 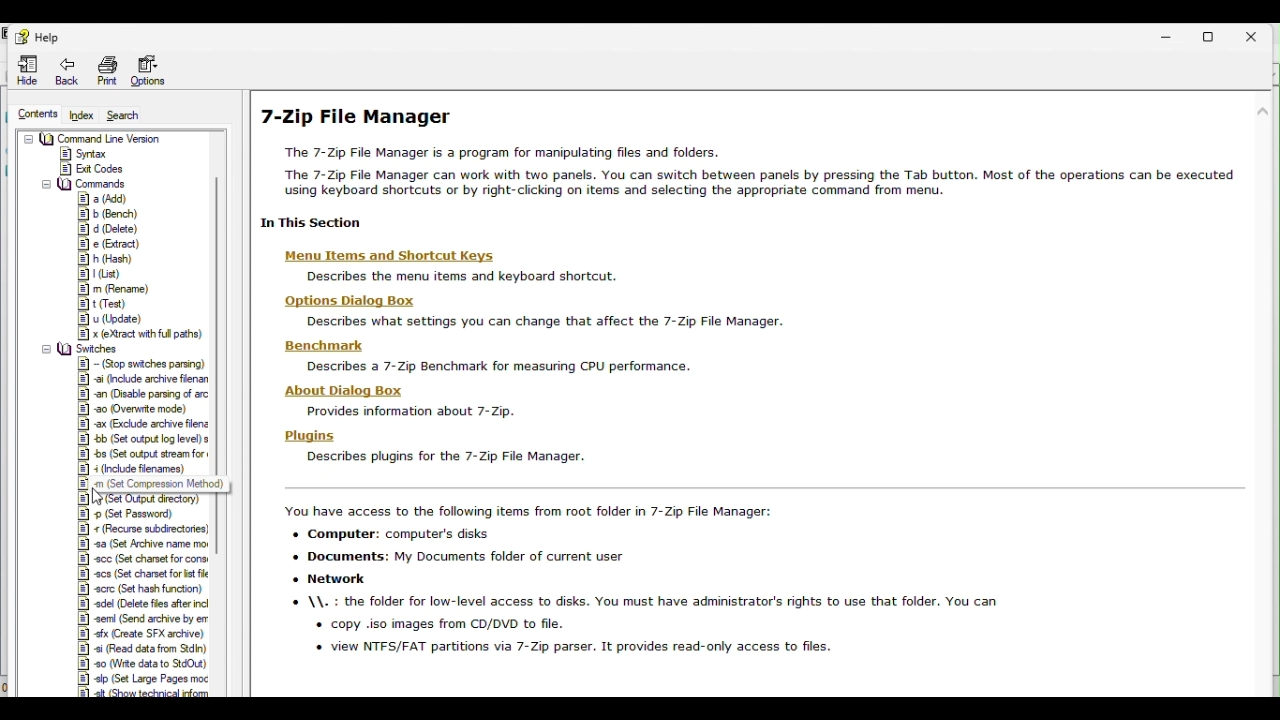 What do you see at coordinates (68, 71) in the screenshot?
I see `Back` at bounding box center [68, 71].